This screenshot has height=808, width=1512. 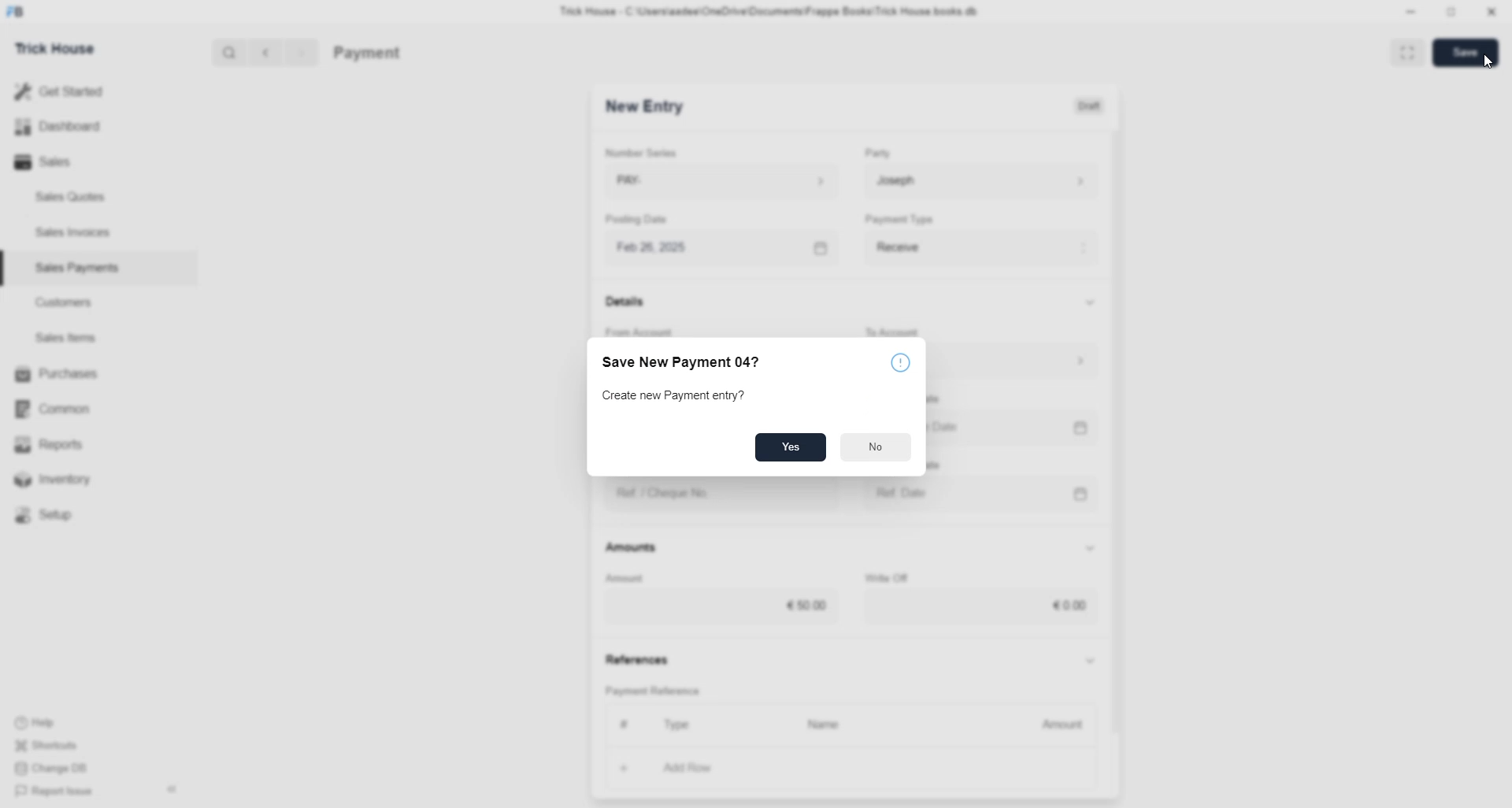 I want to click on €50.00, so click(x=720, y=607).